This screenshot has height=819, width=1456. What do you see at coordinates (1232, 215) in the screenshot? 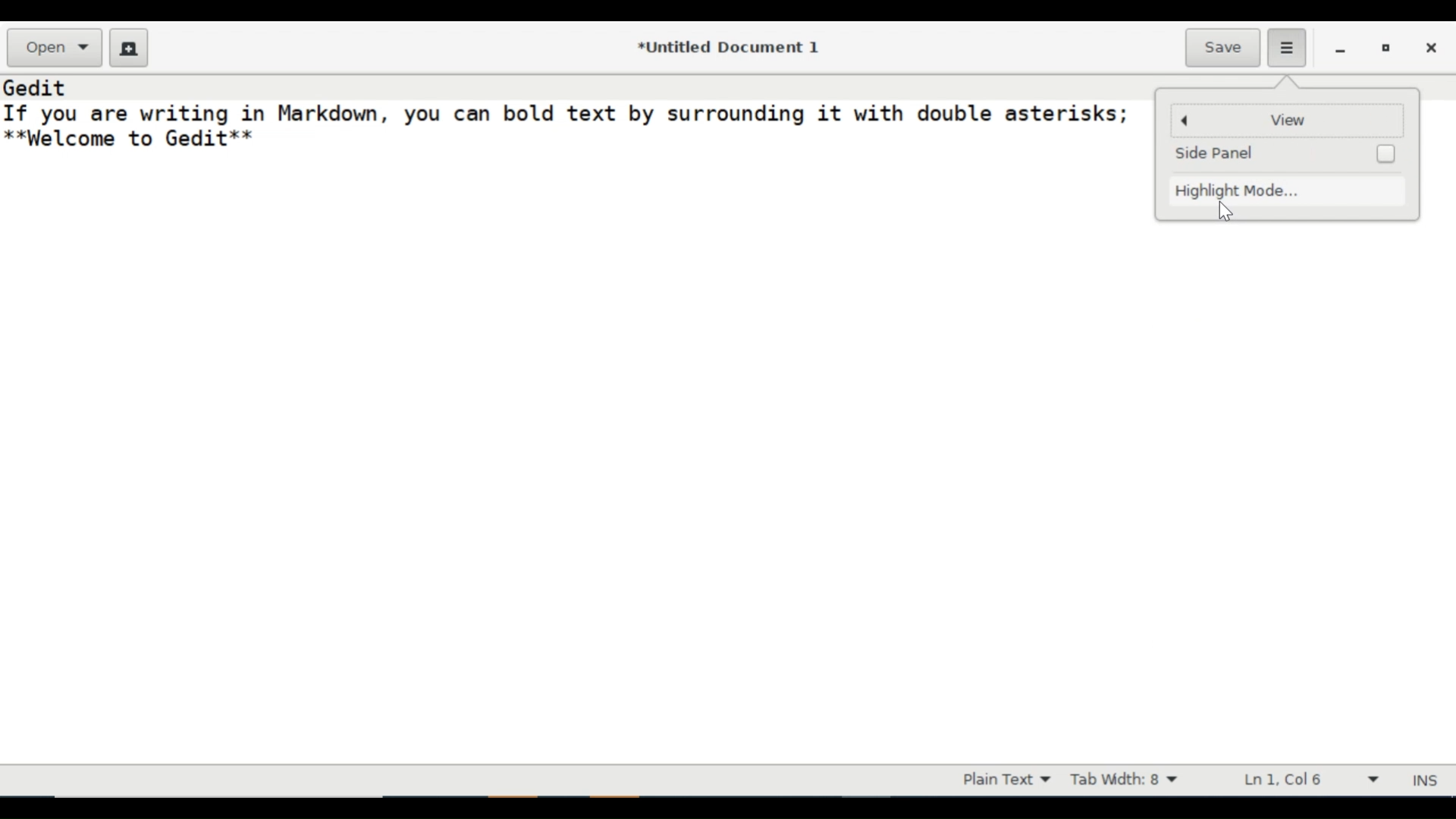
I see `cursor` at bounding box center [1232, 215].